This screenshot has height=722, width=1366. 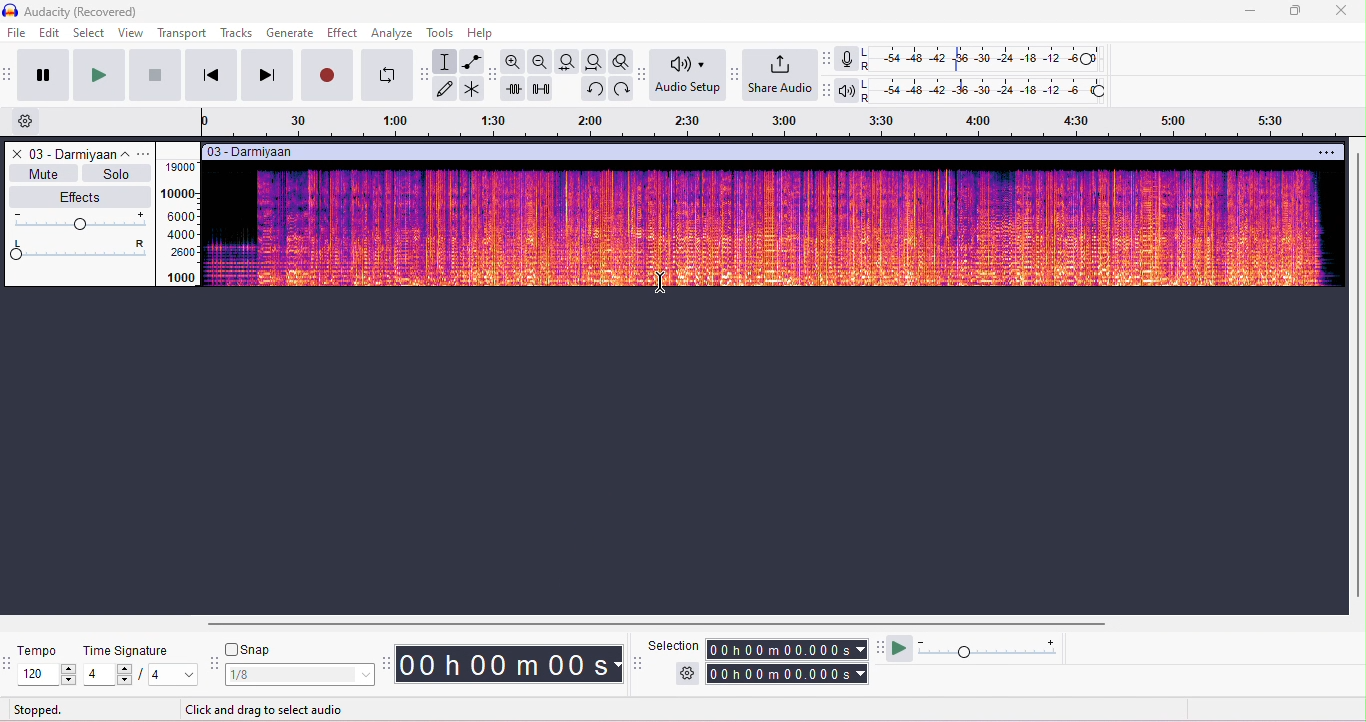 I want to click on horizontal scroll bar, so click(x=648, y=623).